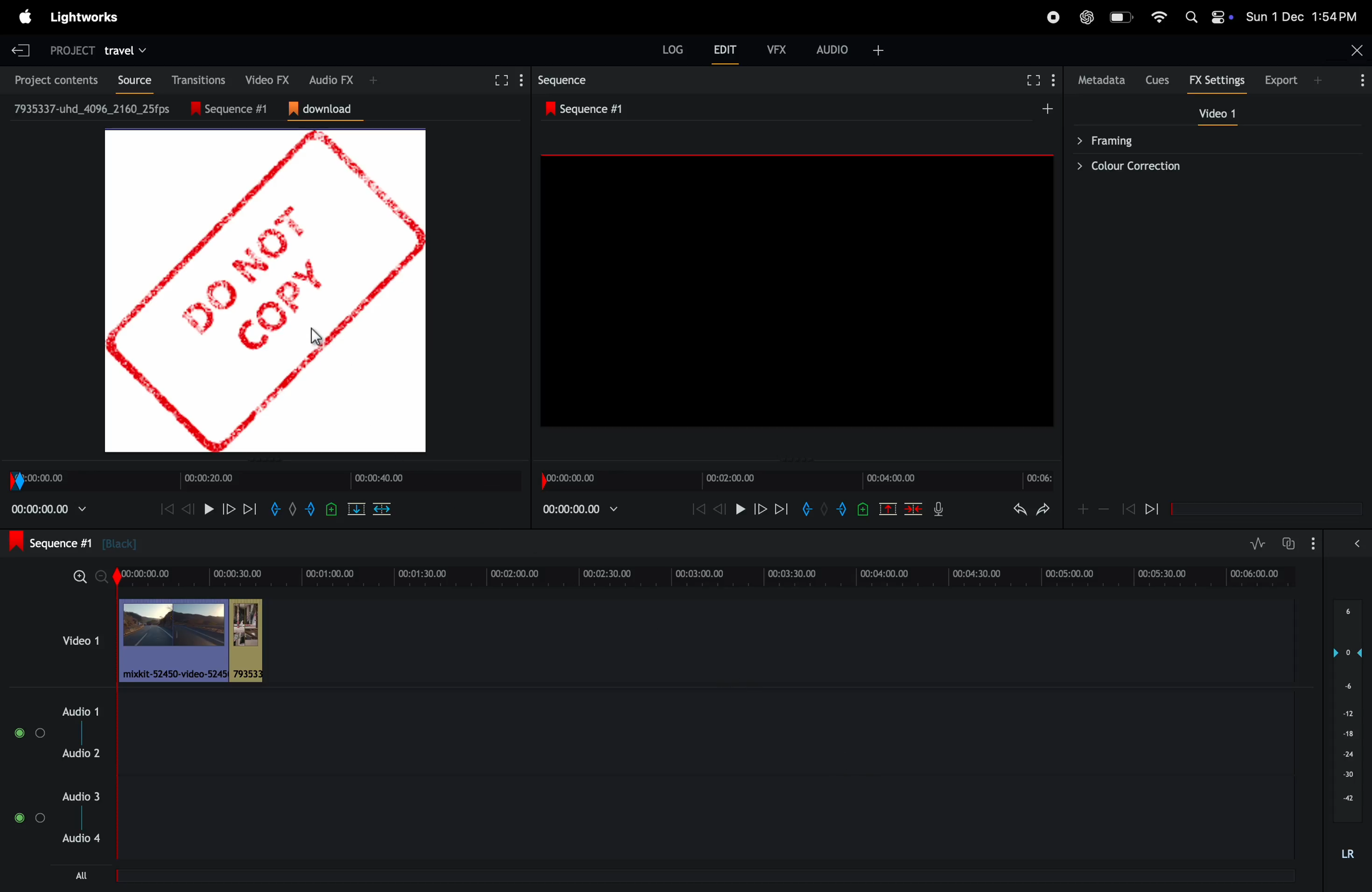 The width and height of the screenshot is (1372, 892). Describe the element at coordinates (805, 508) in the screenshot. I see `add in` at that location.